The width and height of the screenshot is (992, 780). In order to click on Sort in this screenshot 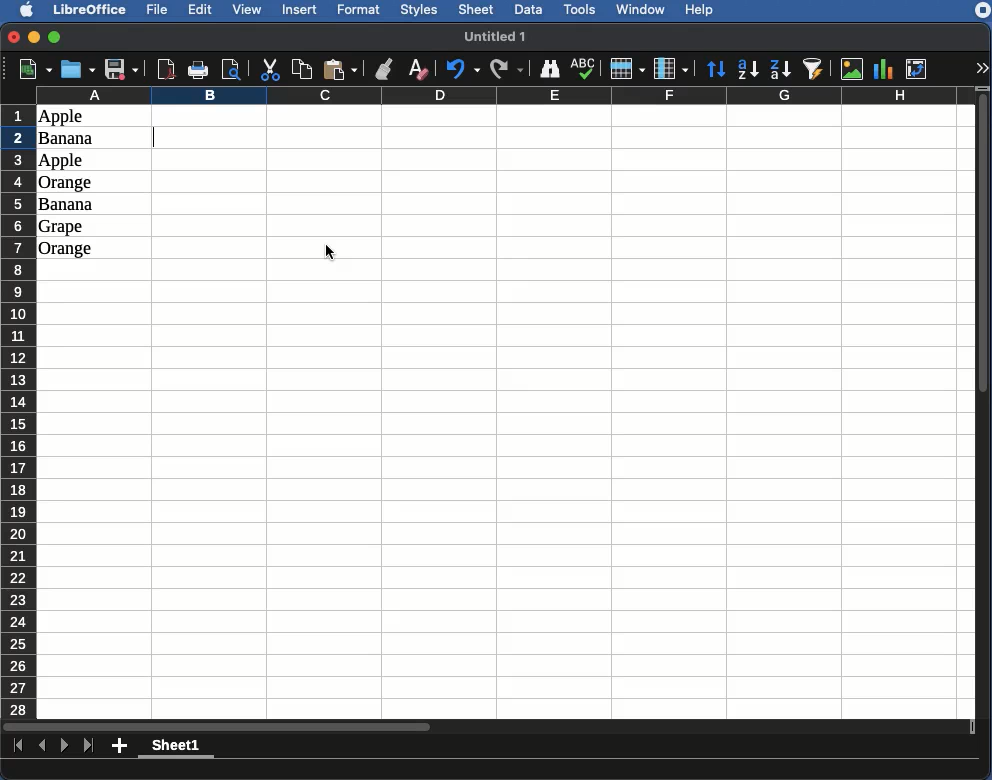, I will do `click(718, 68)`.